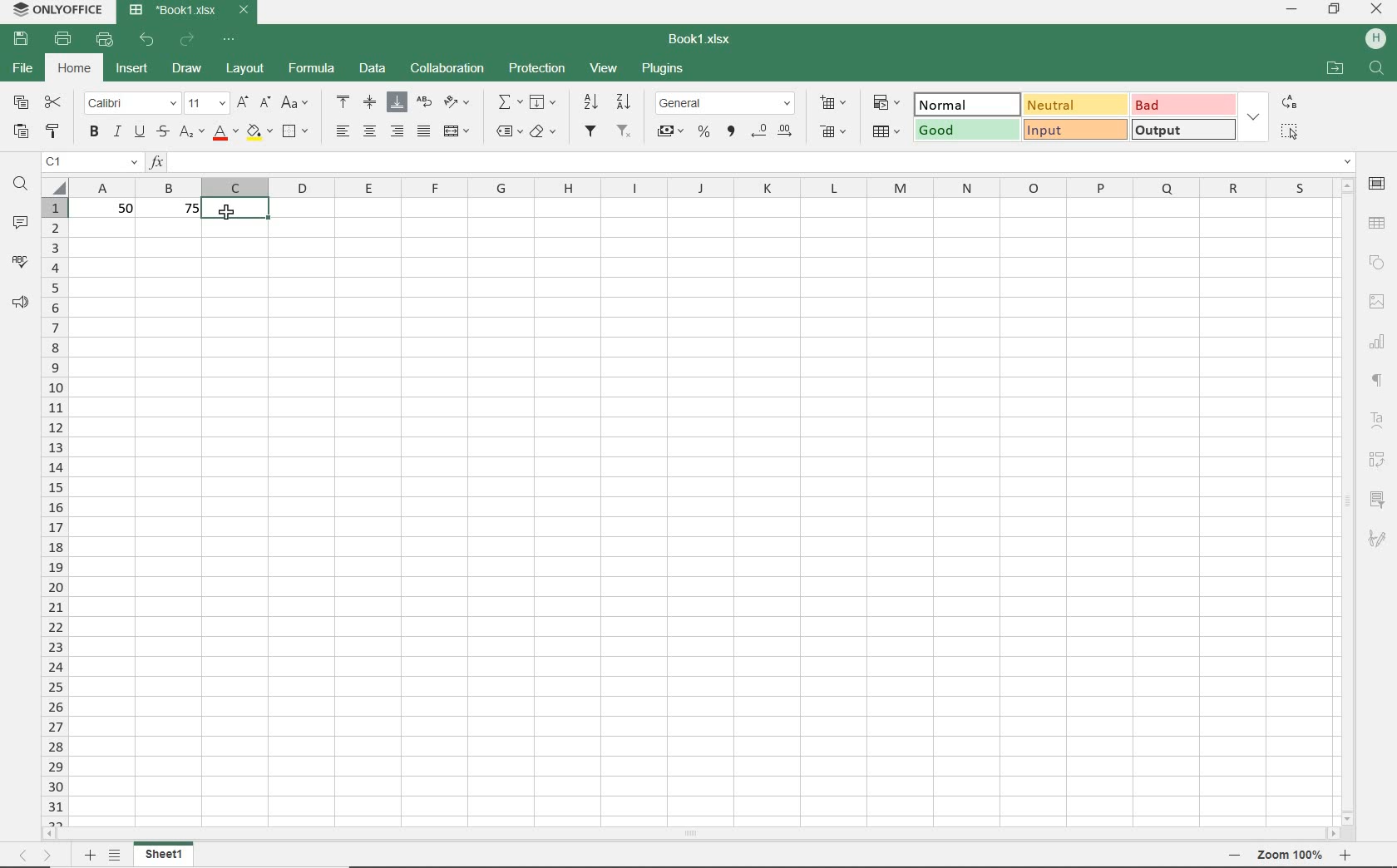  Describe the element at coordinates (175, 209) in the screenshot. I see `75` at that location.